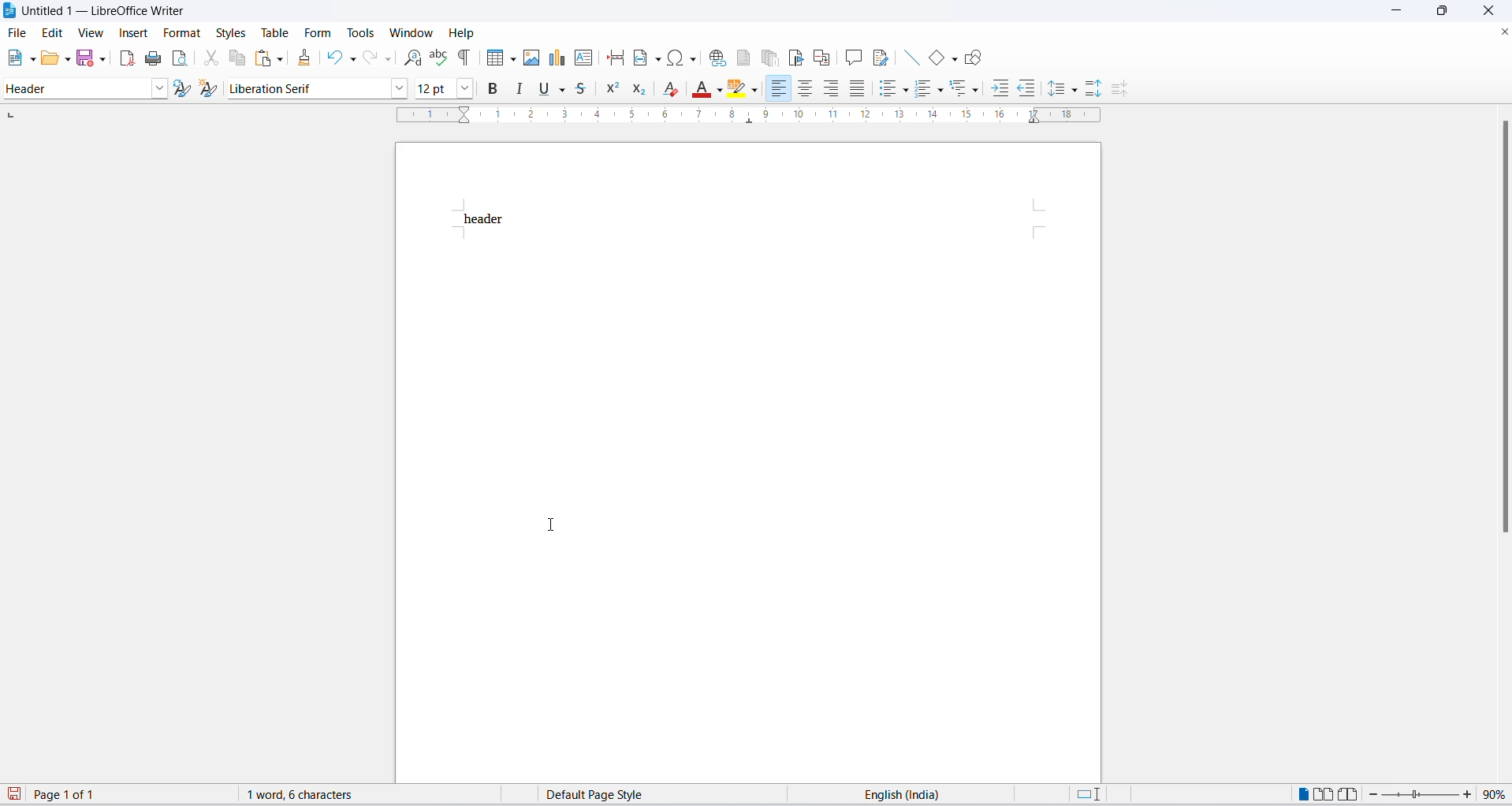 The height and width of the screenshot is (806, 1512). What do you see at coordinates (646, 91) in the screenshot?
I see `subscript` at bounding box center [646, 91].